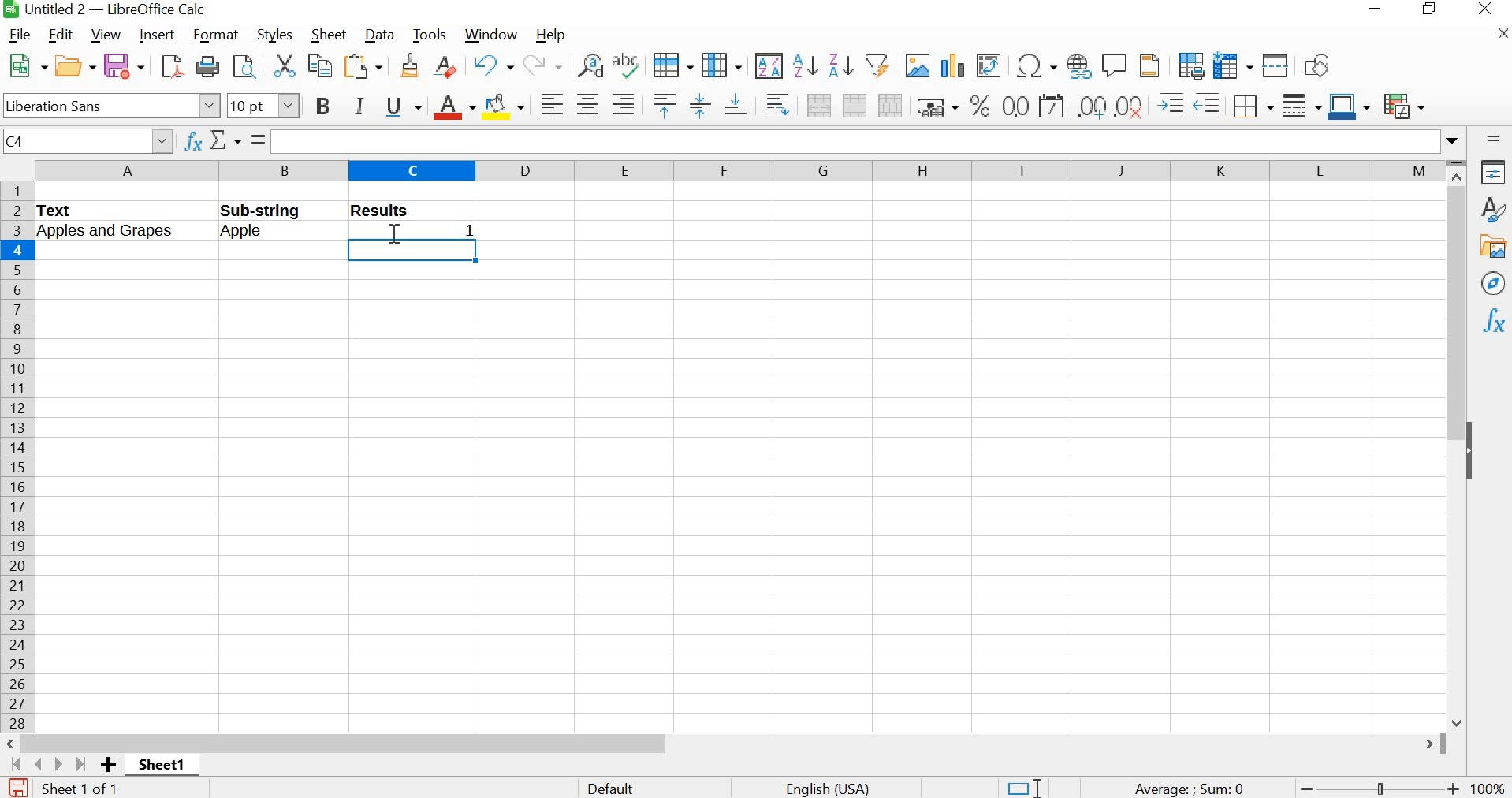  Describe the element at coordinates (1019, 786) in the screenshot. I see `standard selection` at that location.